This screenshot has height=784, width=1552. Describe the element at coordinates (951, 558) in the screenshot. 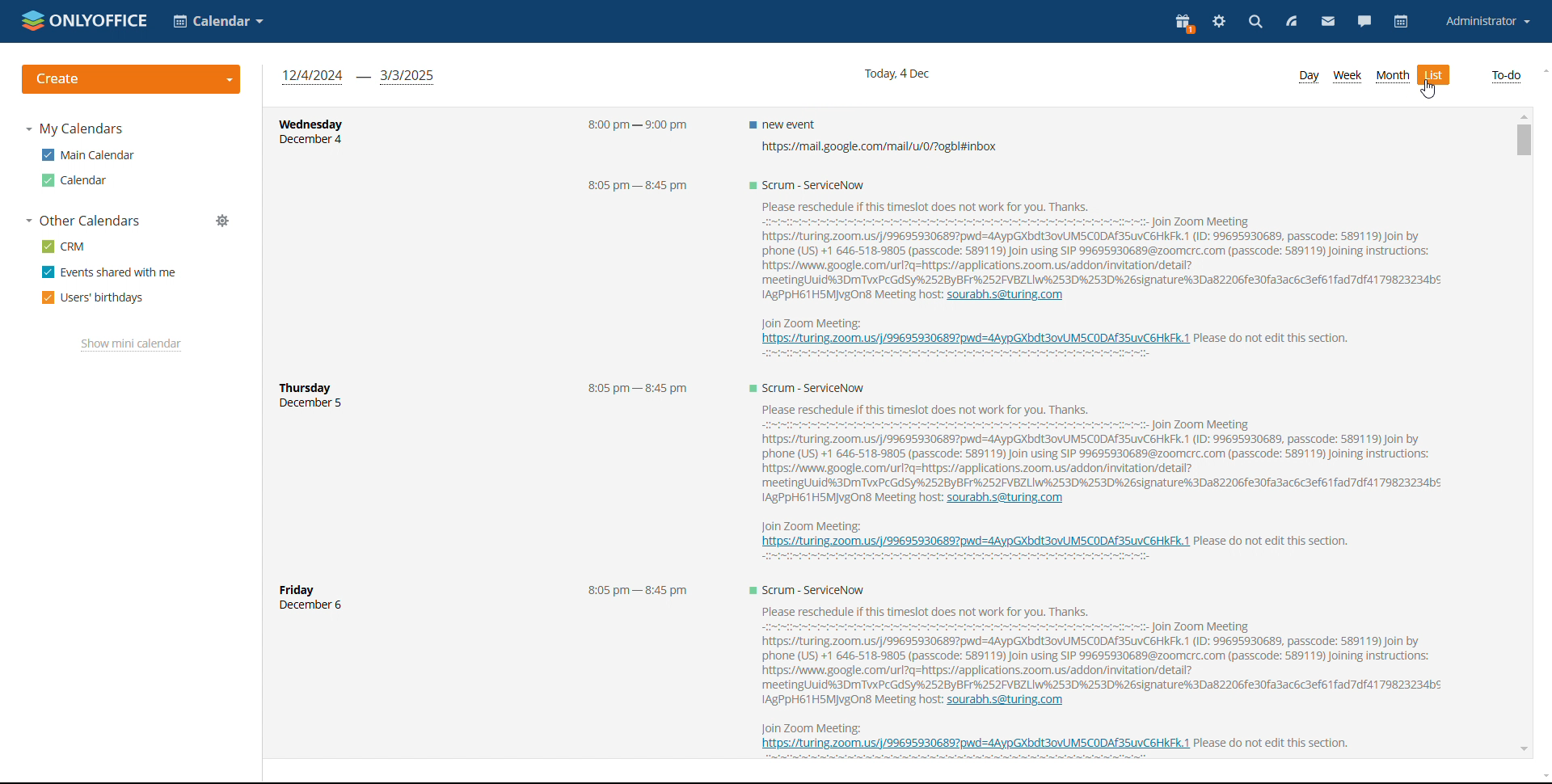

I see `text` at that location.